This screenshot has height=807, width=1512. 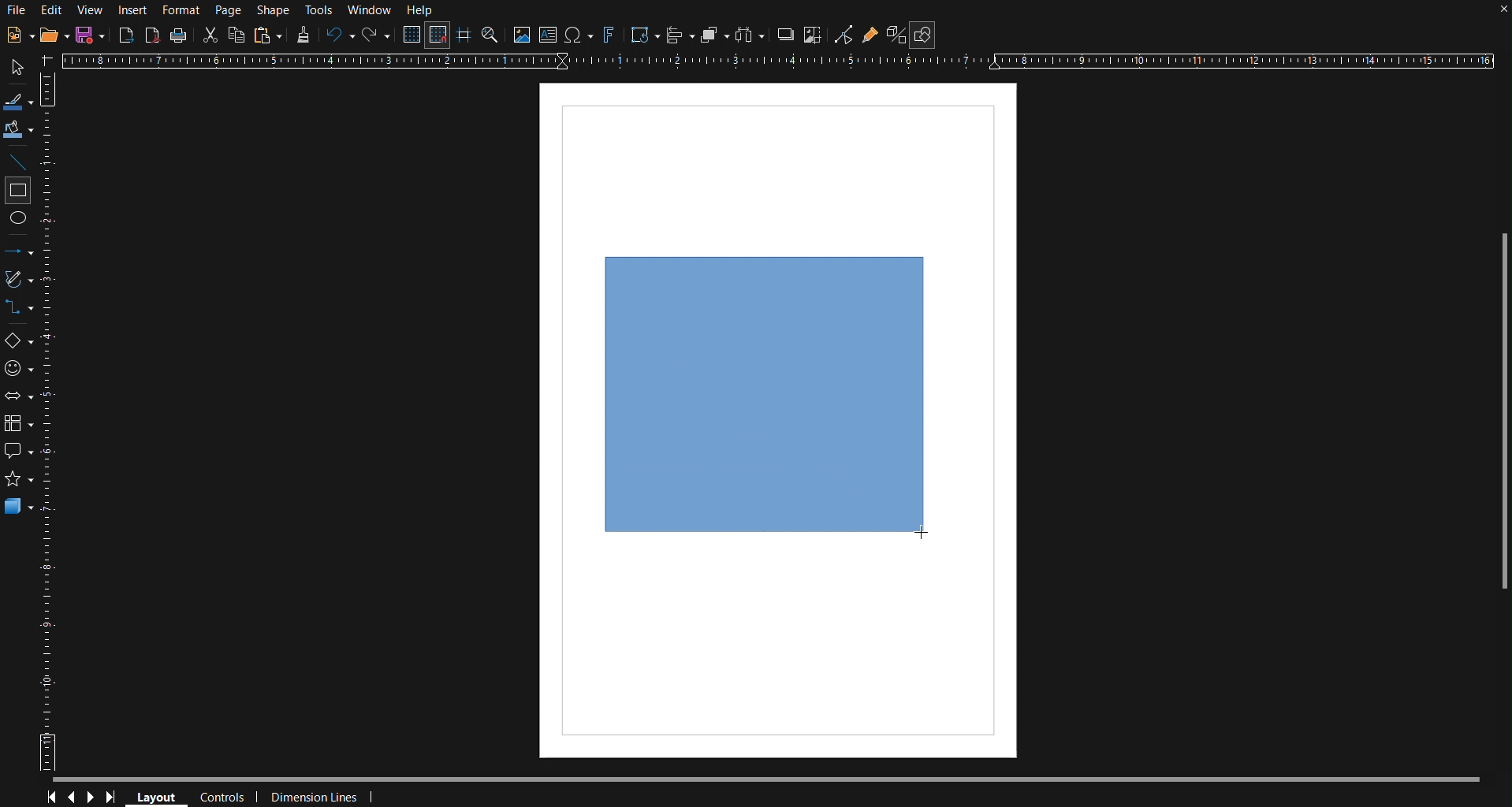 I want to click on Horizontal Ruler, so click(x=776, y=59).